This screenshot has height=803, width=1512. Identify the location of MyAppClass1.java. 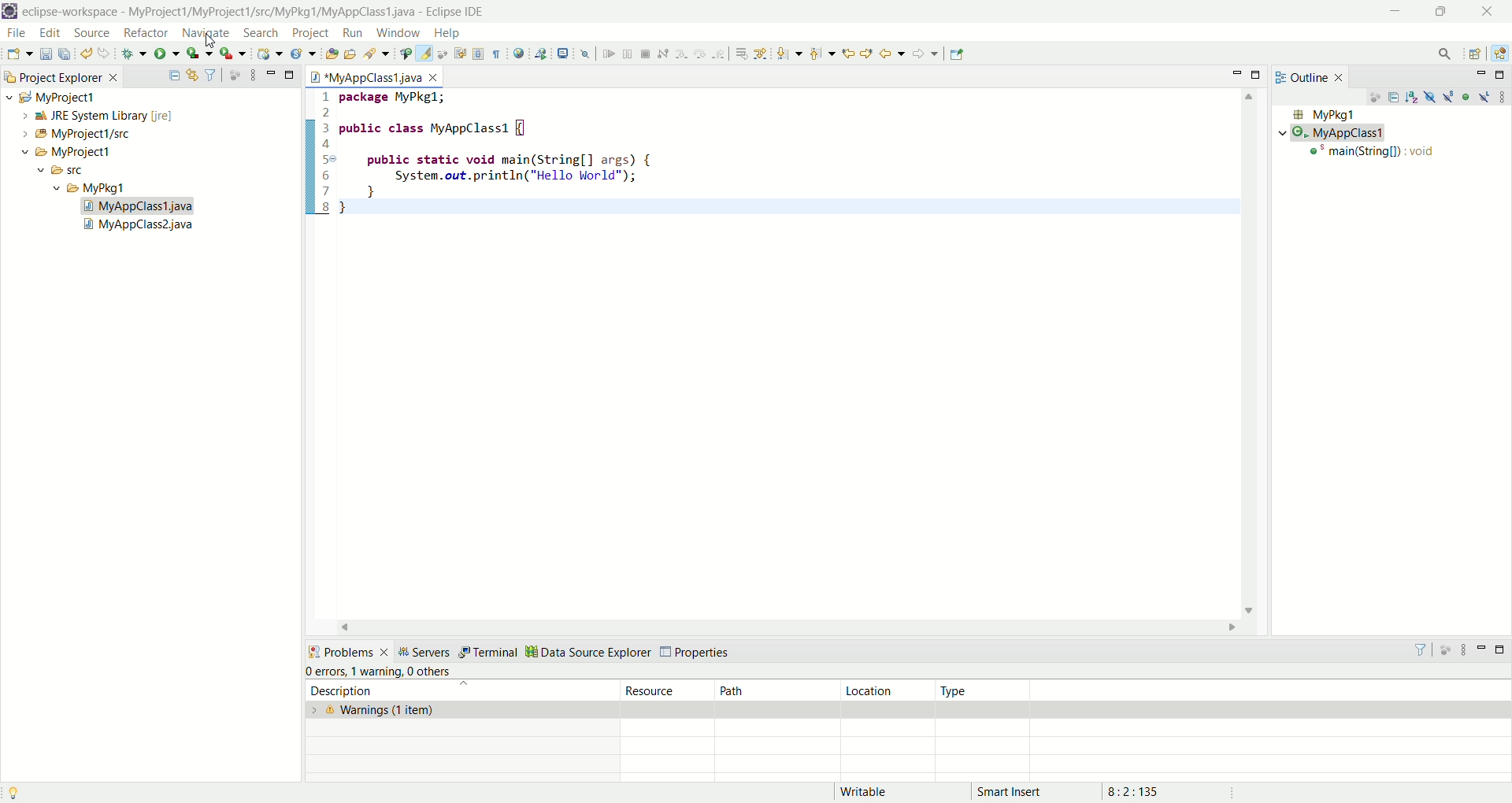
(139, 206).